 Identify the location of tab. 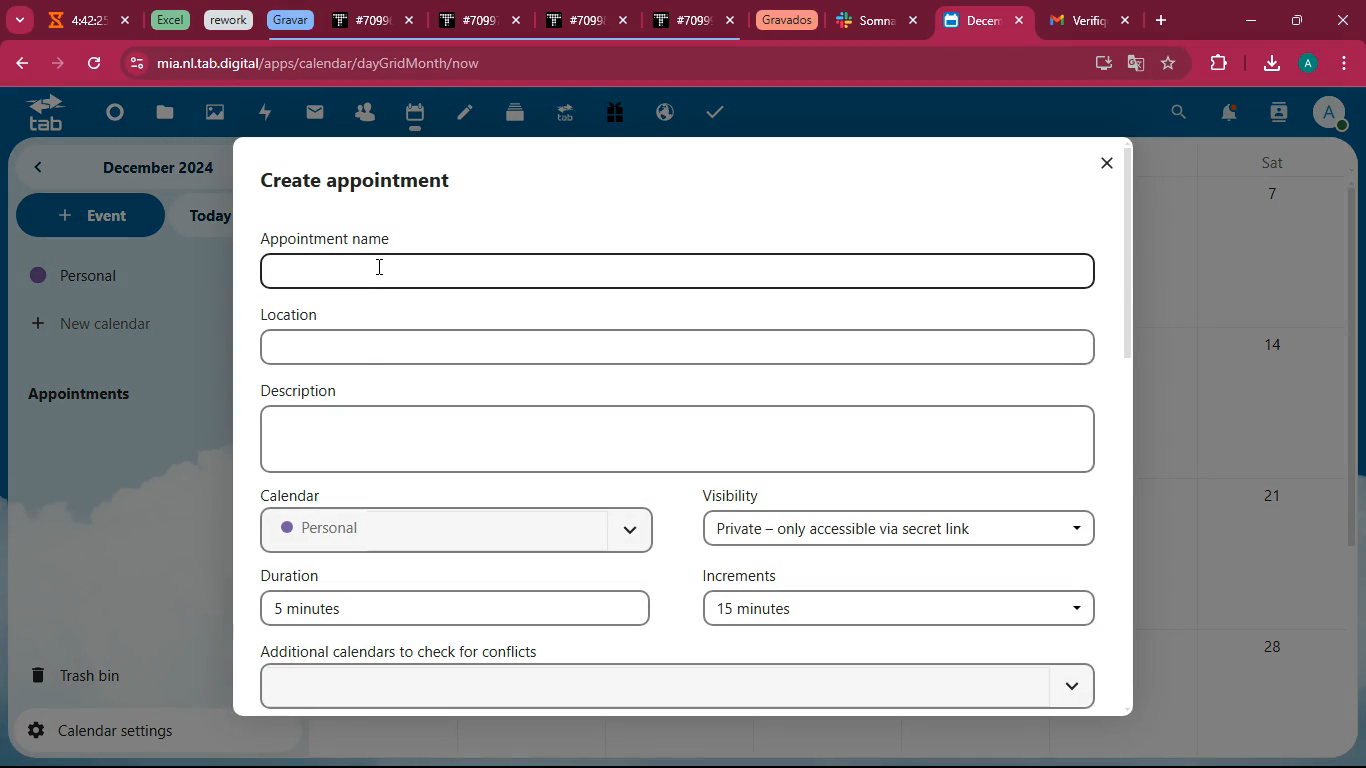
(466, 22).